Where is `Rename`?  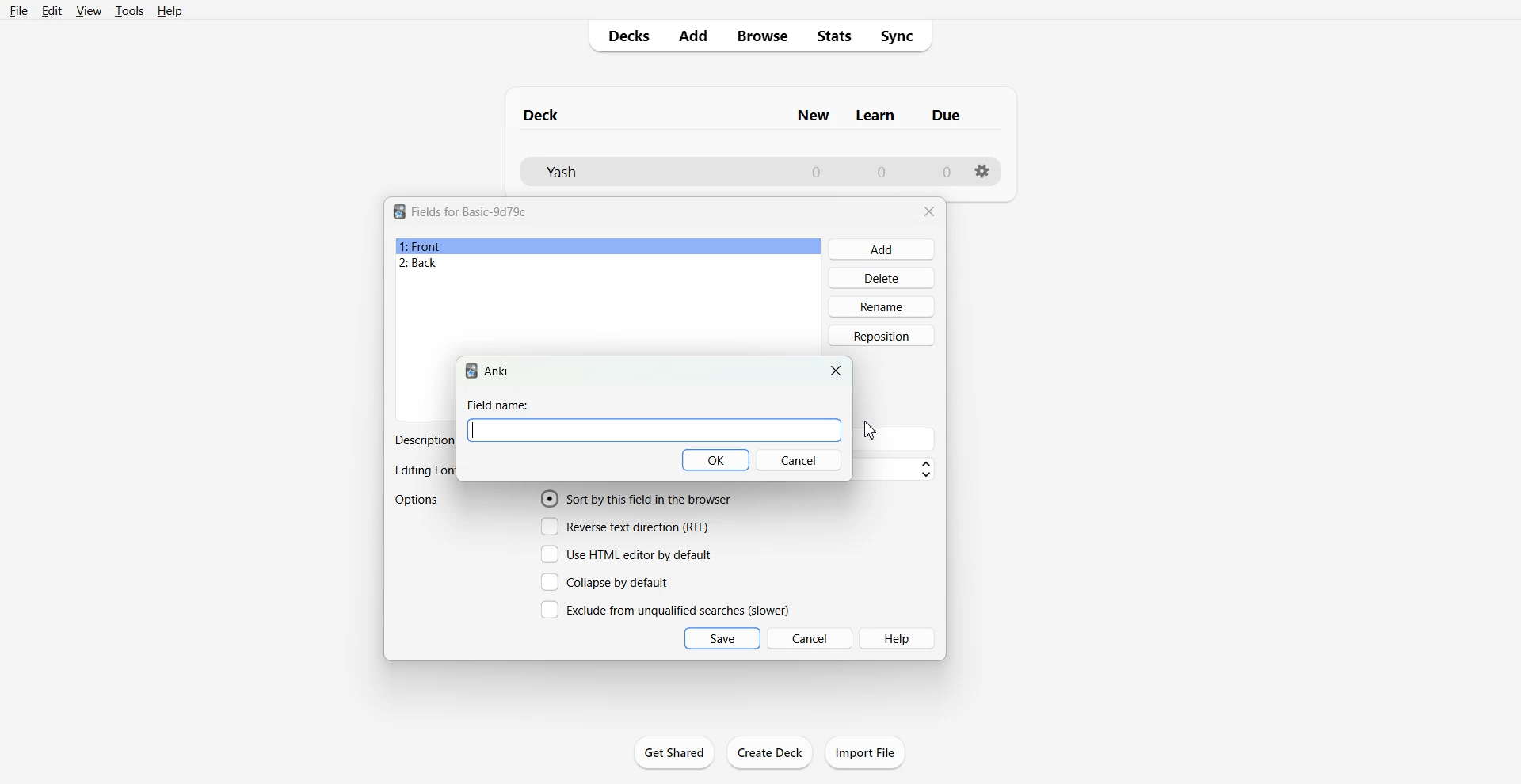 Rename is located at coordinates (882, 306).